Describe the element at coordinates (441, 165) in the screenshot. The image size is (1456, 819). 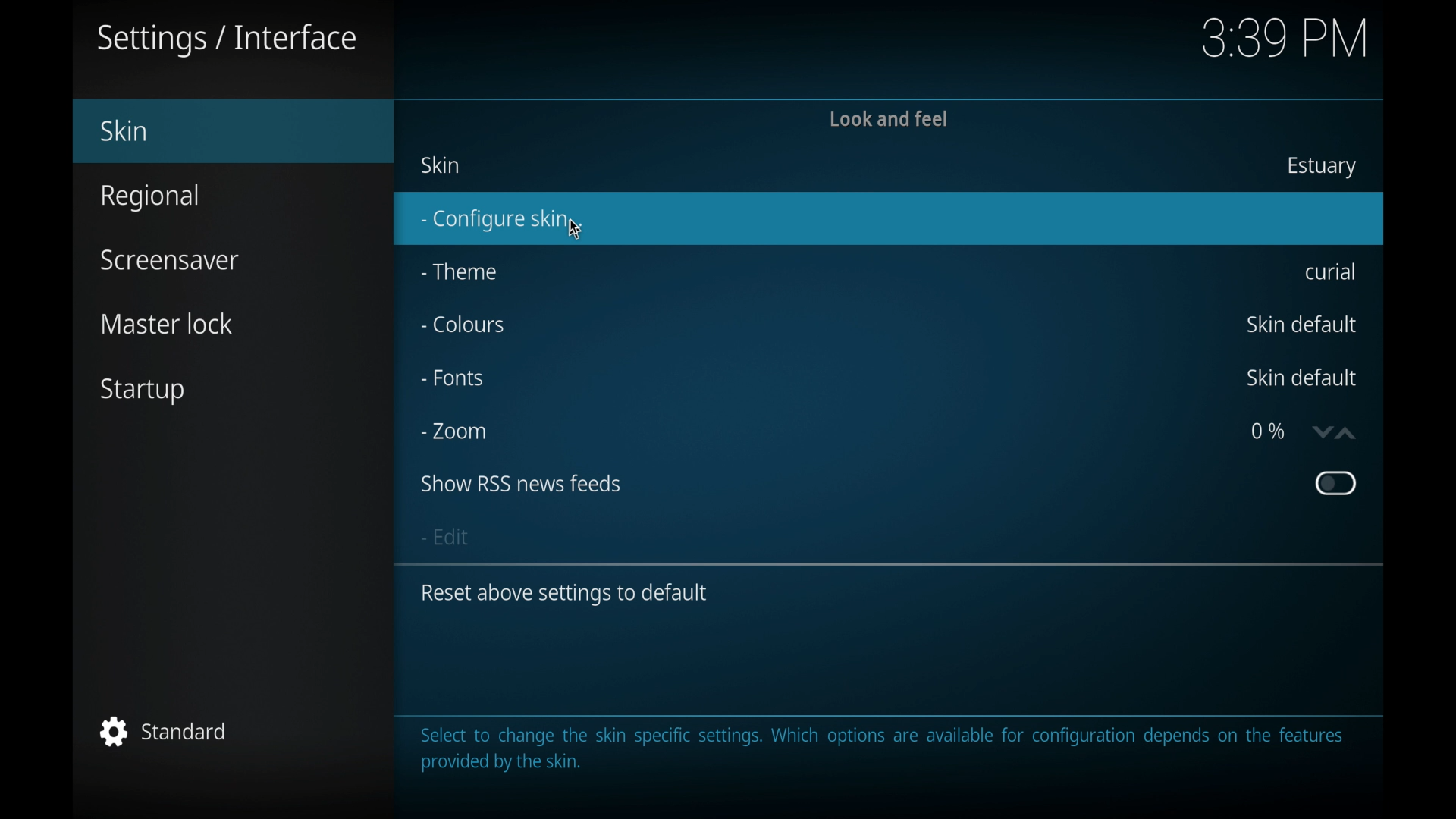
I see `skin` at that location.